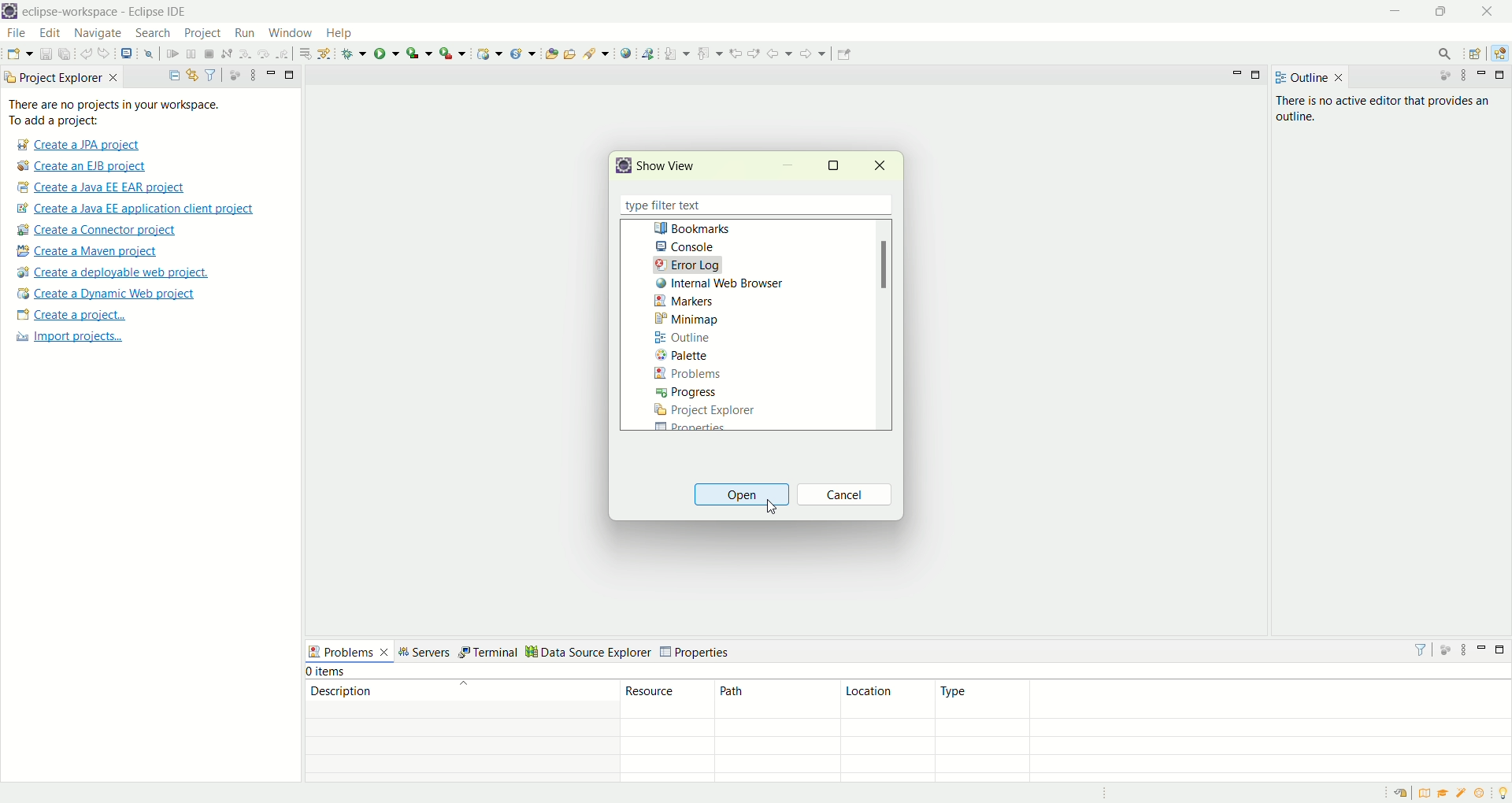 Image resolution: width=1512 pixels, height=803 pixels. I want to click on markers, so click(684, 302).